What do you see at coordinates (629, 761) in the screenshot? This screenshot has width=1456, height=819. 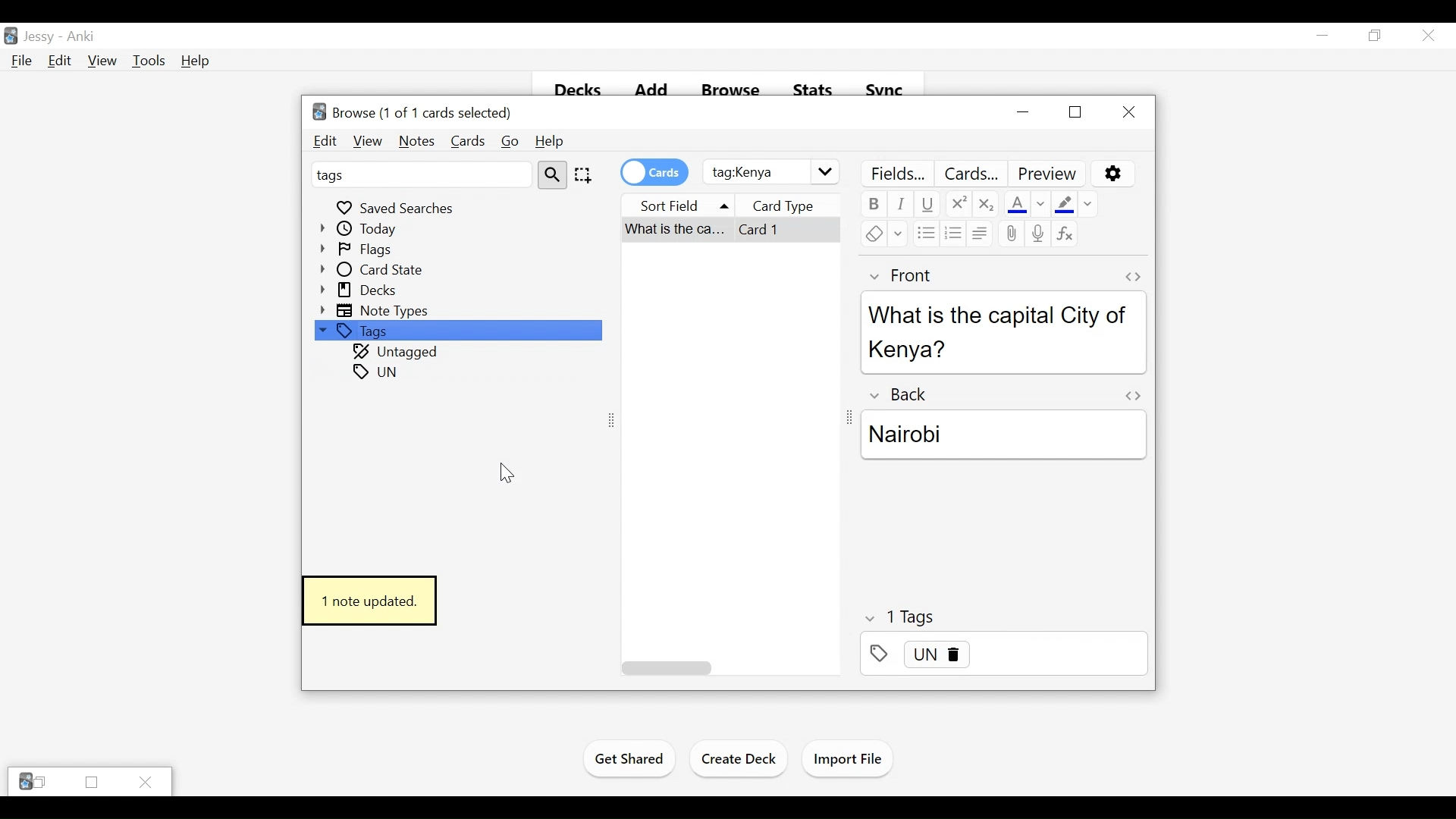 I see `Get Shared` at bounding box center [629, 761].